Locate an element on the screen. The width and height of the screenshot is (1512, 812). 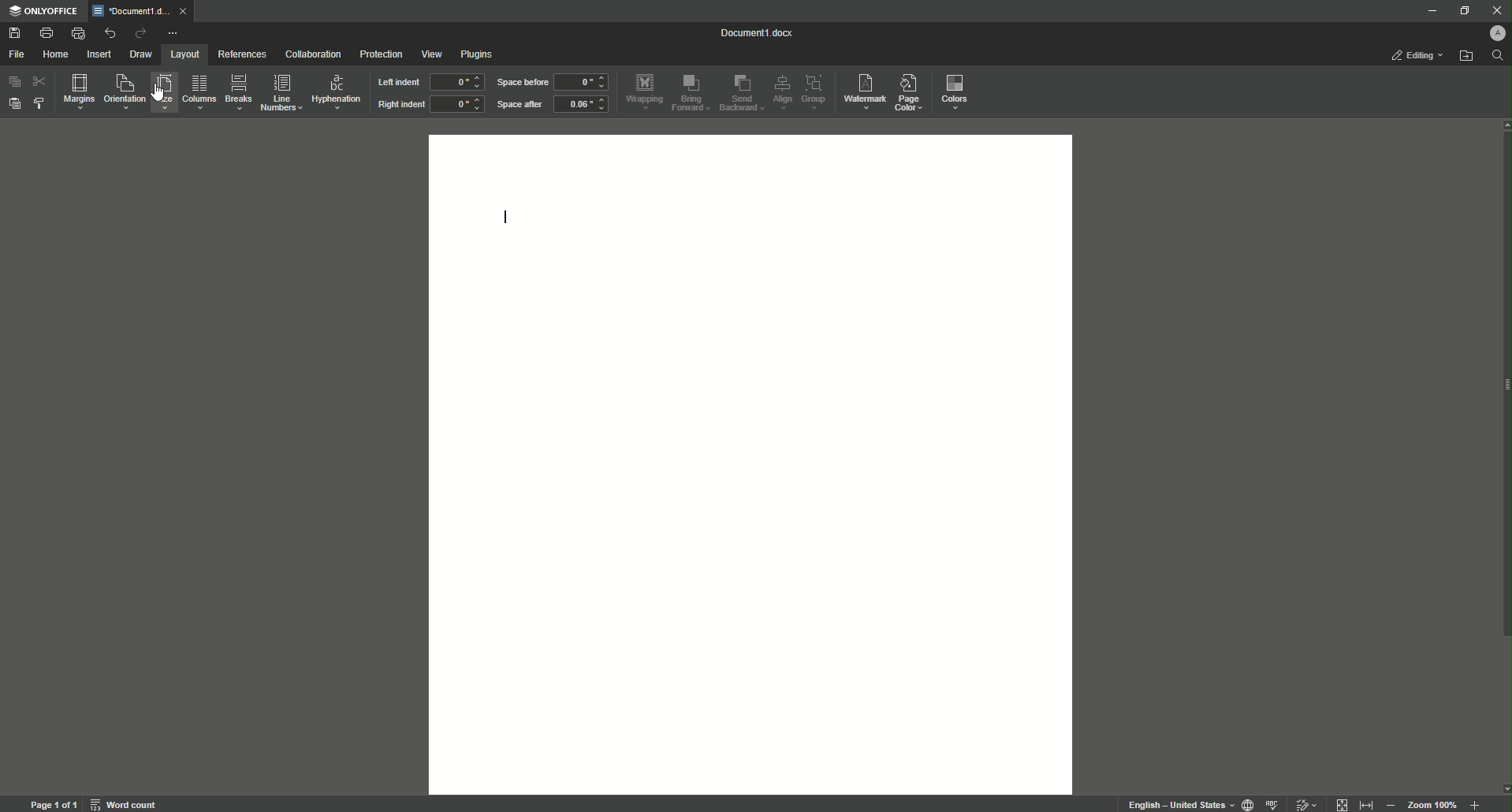
Space after is located at coordinates (520, 106).